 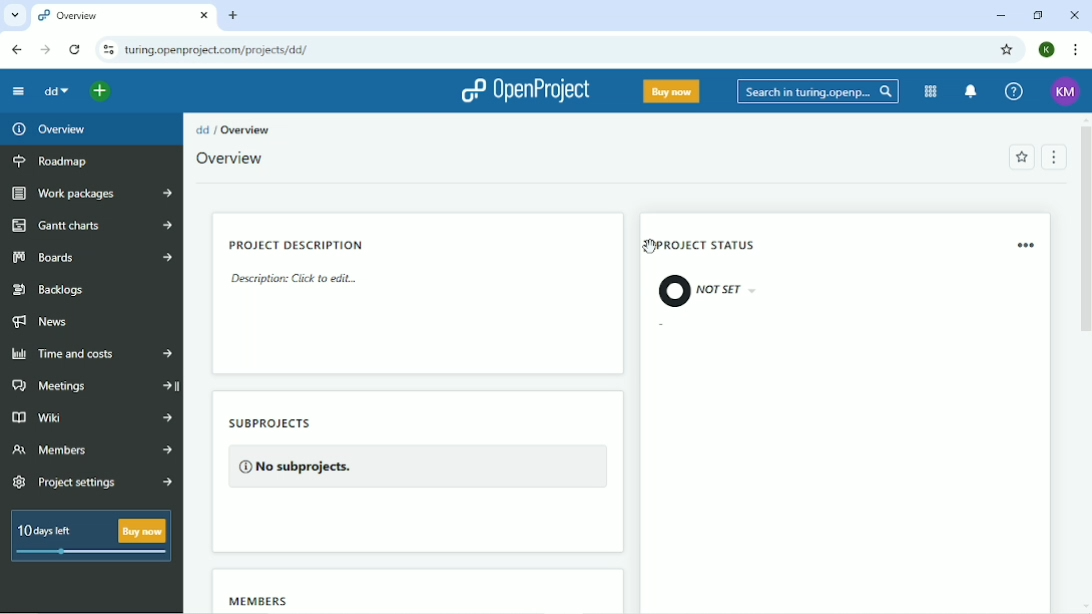 What do you see at coordinates (248, 130) in the screenshot?
I see `Overview` at bounding box center [248, 130].